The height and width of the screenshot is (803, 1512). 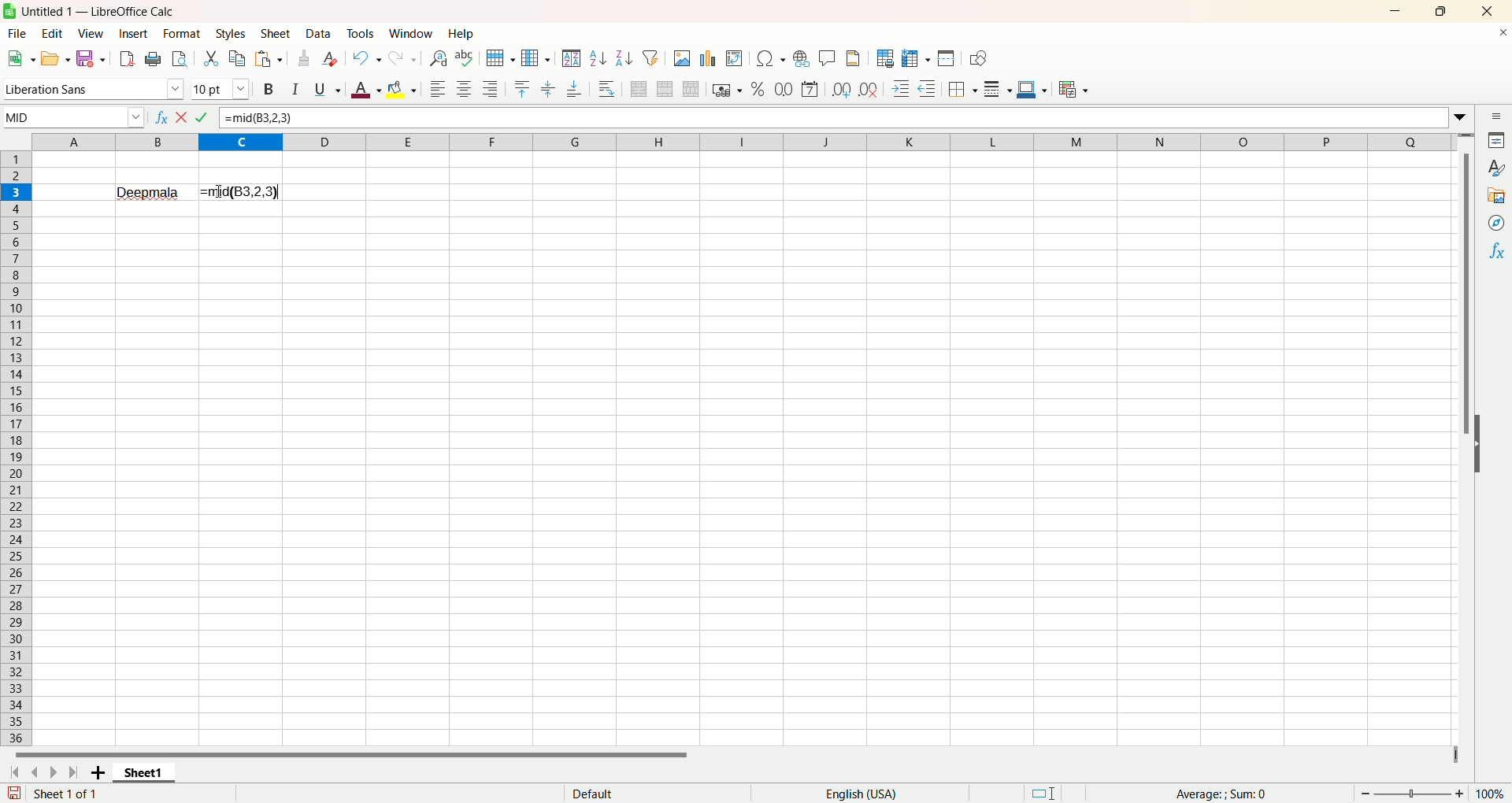 I want to click on center vertically, so click(x=547, y=90).